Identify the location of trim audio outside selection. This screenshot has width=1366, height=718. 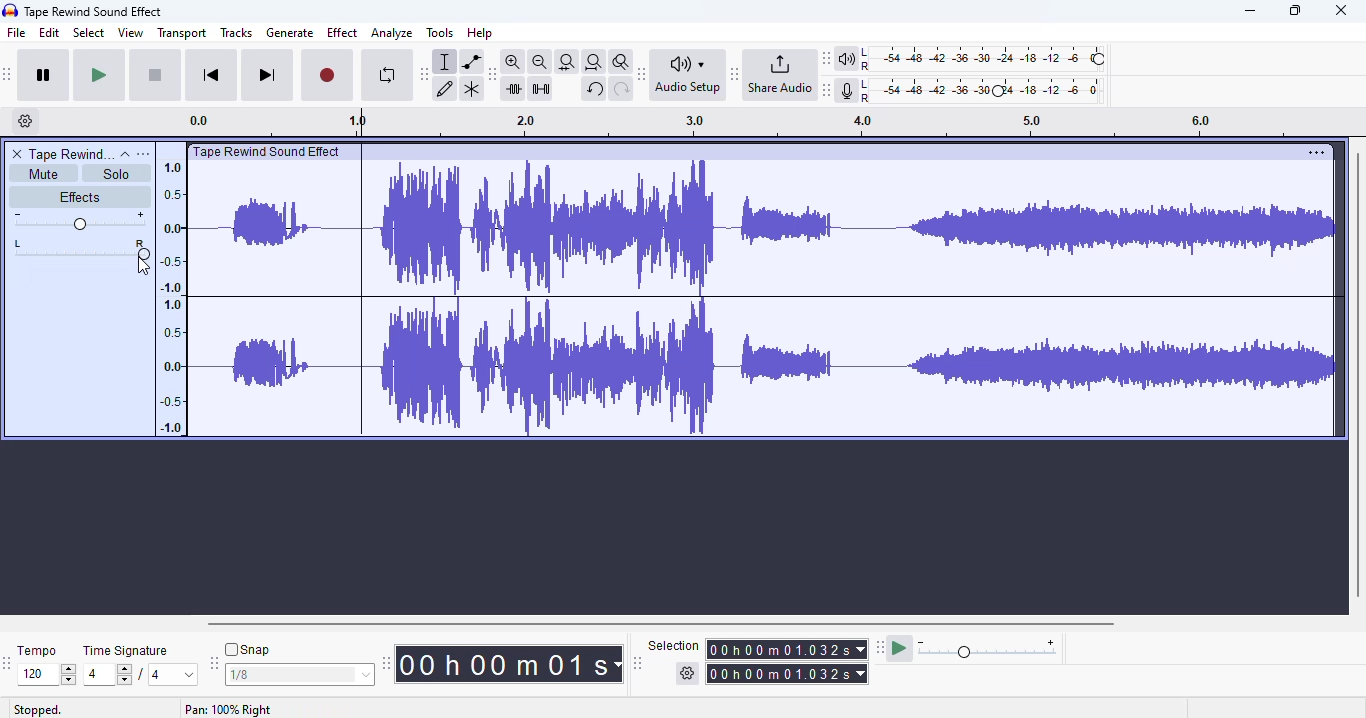
(516, 89).